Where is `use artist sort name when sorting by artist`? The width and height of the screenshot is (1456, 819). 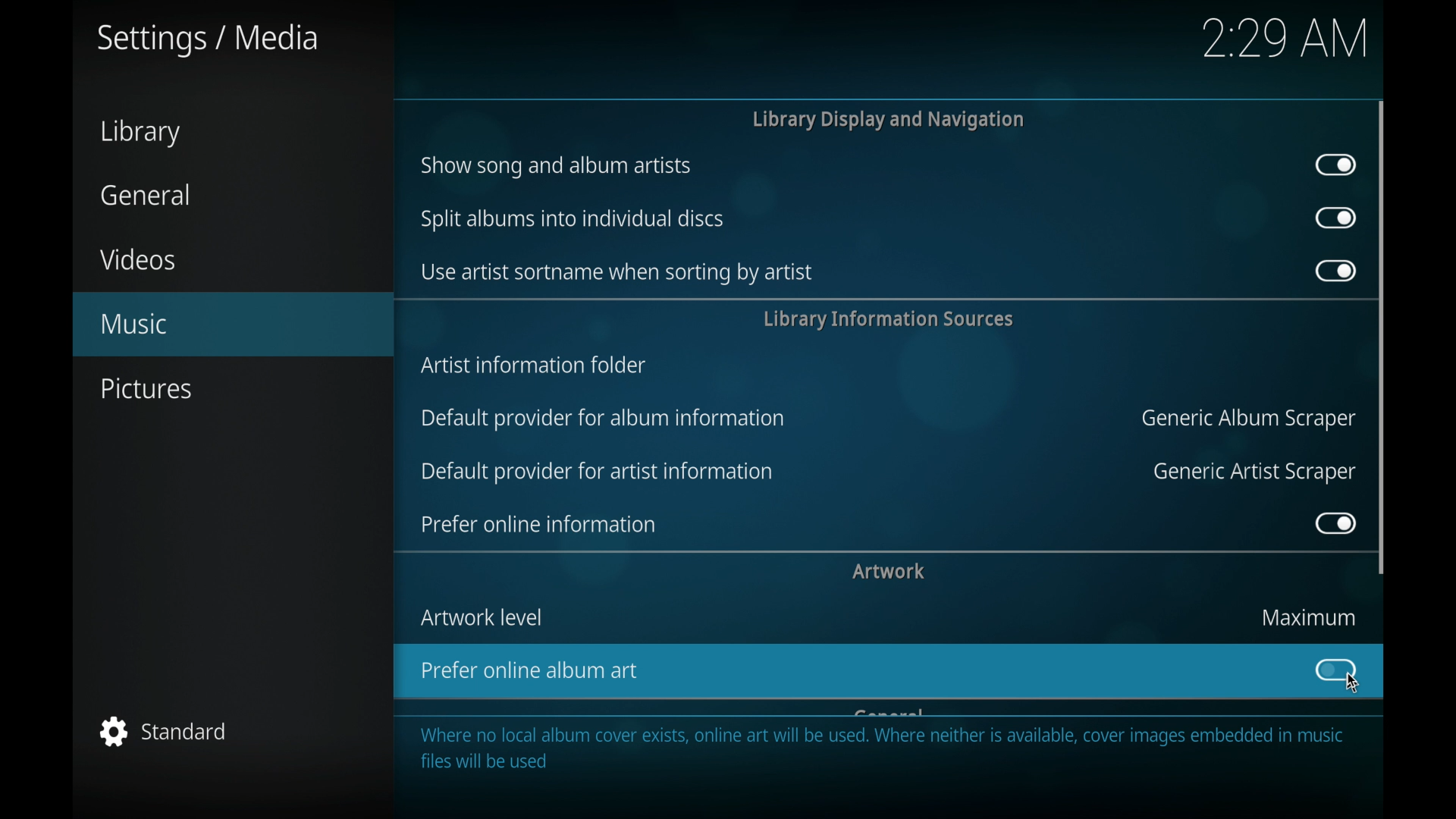 use artist sort name when sorting by artist is located at coordinates (613, 273).